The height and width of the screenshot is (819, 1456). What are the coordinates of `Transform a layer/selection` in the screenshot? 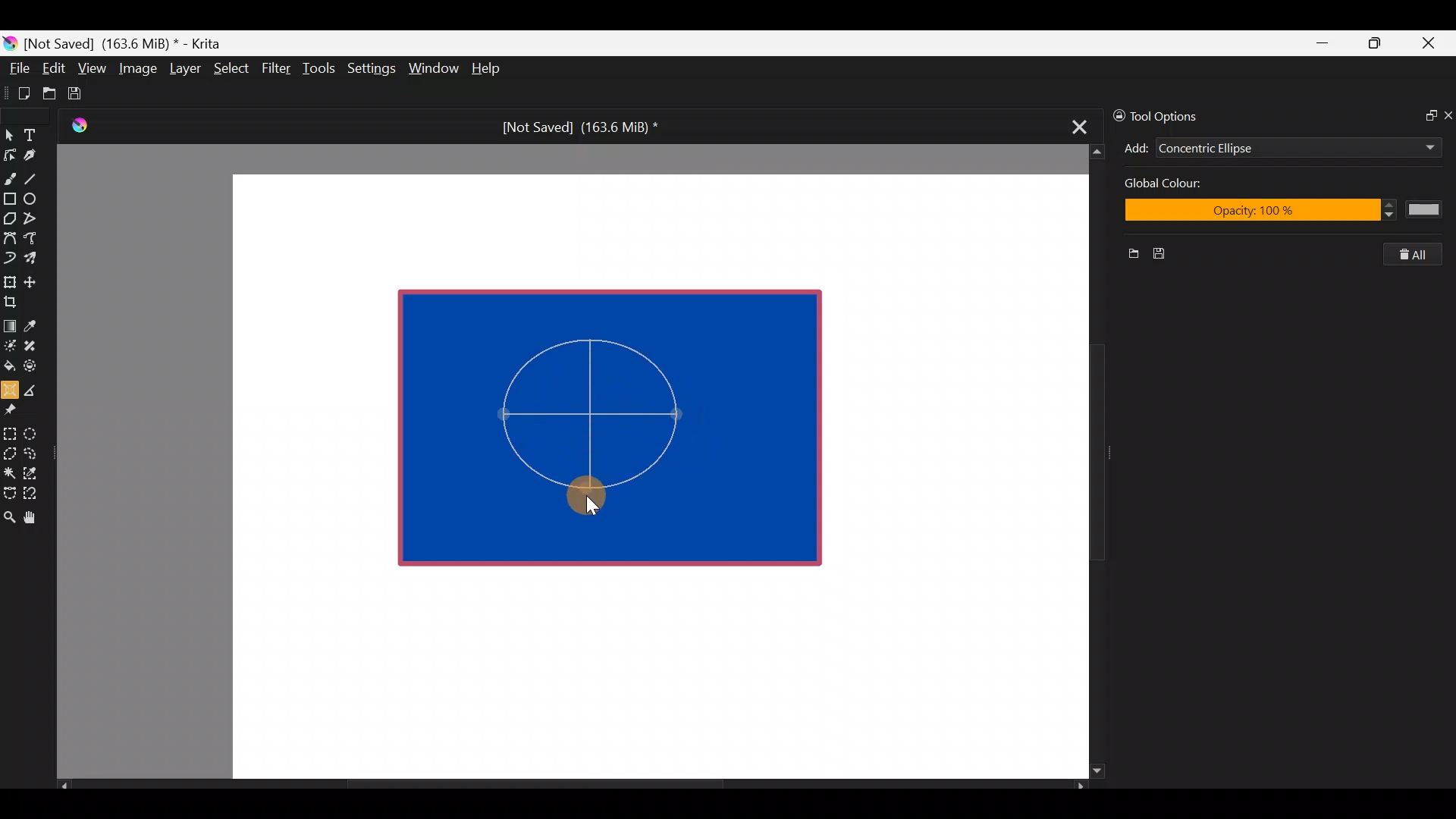 It's located at (9, 279).